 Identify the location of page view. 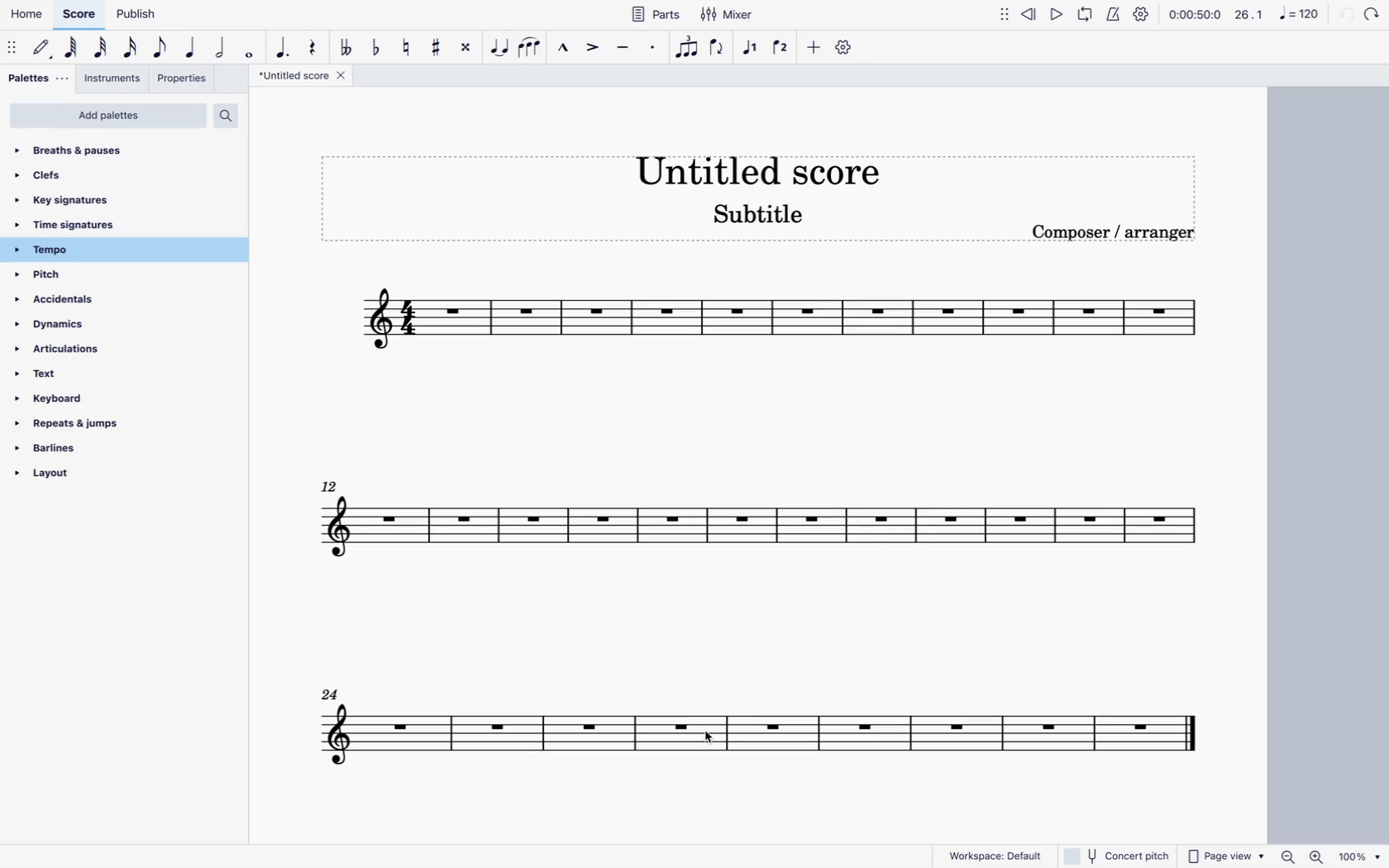
(1225, 855).